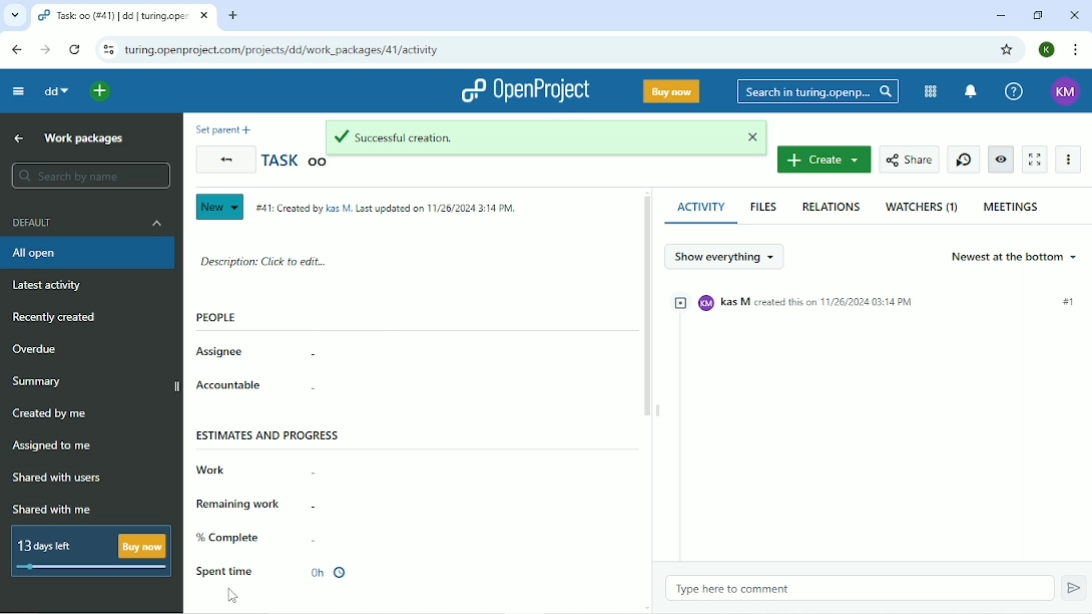 The image size is (1092, 614). I want to click on Back, so click(17, 49).